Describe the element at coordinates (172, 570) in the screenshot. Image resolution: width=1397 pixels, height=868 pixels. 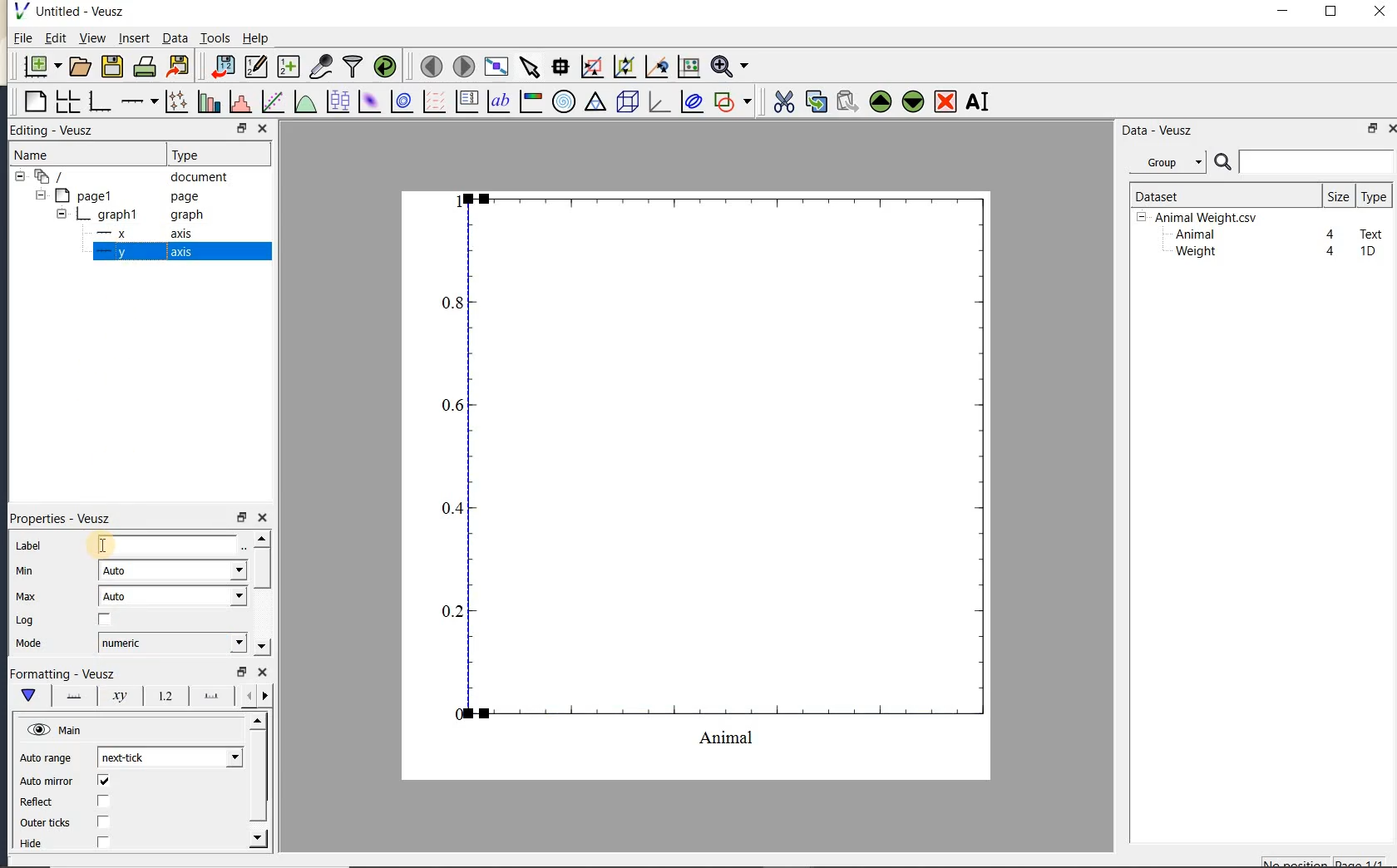
I see `Auto` at that location.